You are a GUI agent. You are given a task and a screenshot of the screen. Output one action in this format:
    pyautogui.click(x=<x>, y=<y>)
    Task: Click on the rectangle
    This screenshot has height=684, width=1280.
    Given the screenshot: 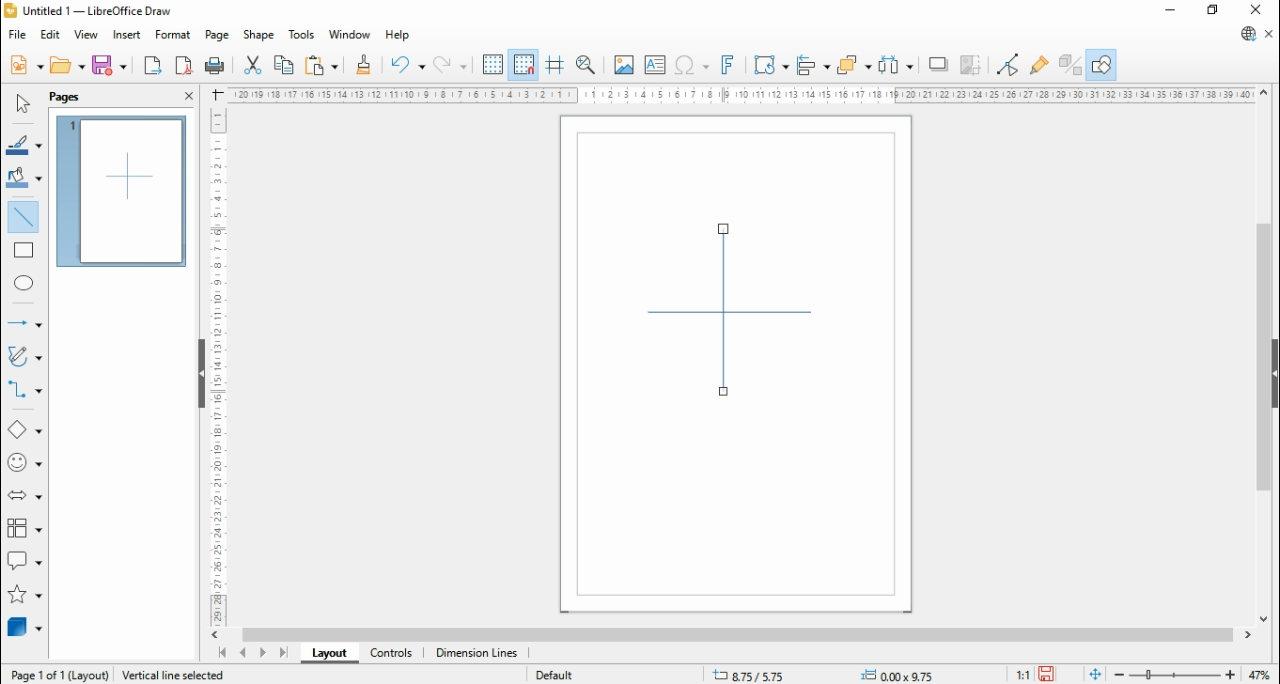 What is the action you would take?
    pyautogui.click(x=24, y=250)
    